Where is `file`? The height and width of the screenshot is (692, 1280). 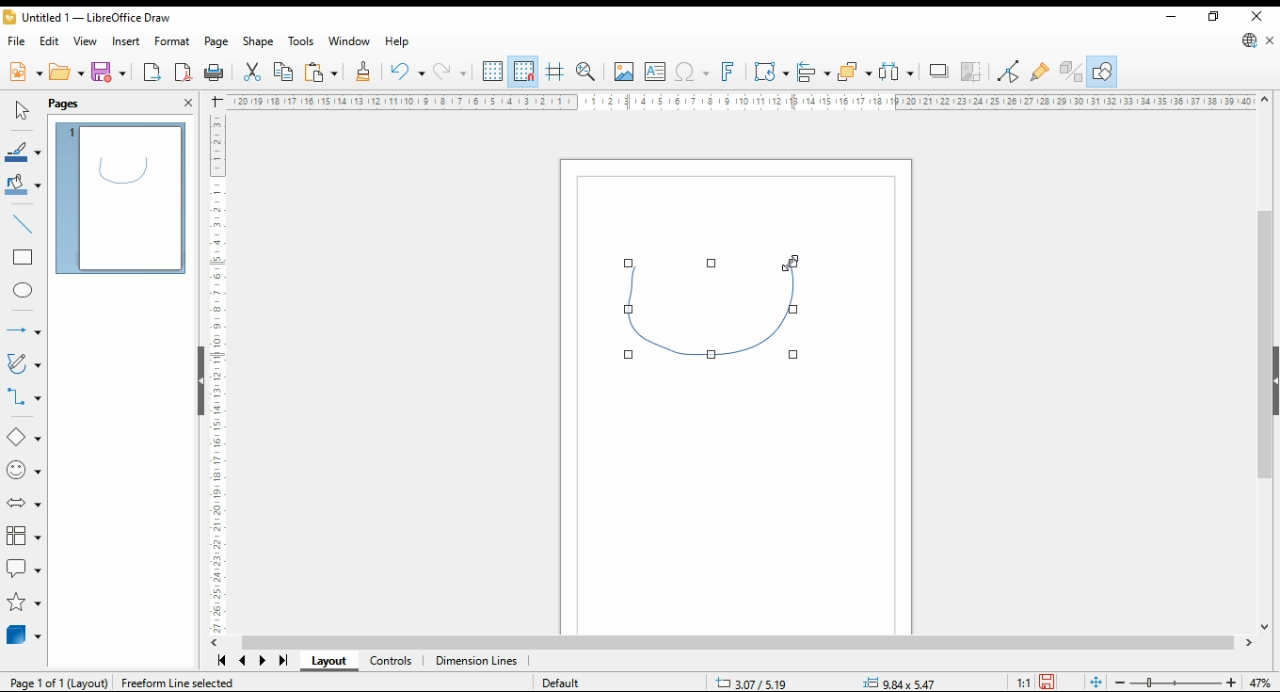 file is located at coordinates (18, 41).